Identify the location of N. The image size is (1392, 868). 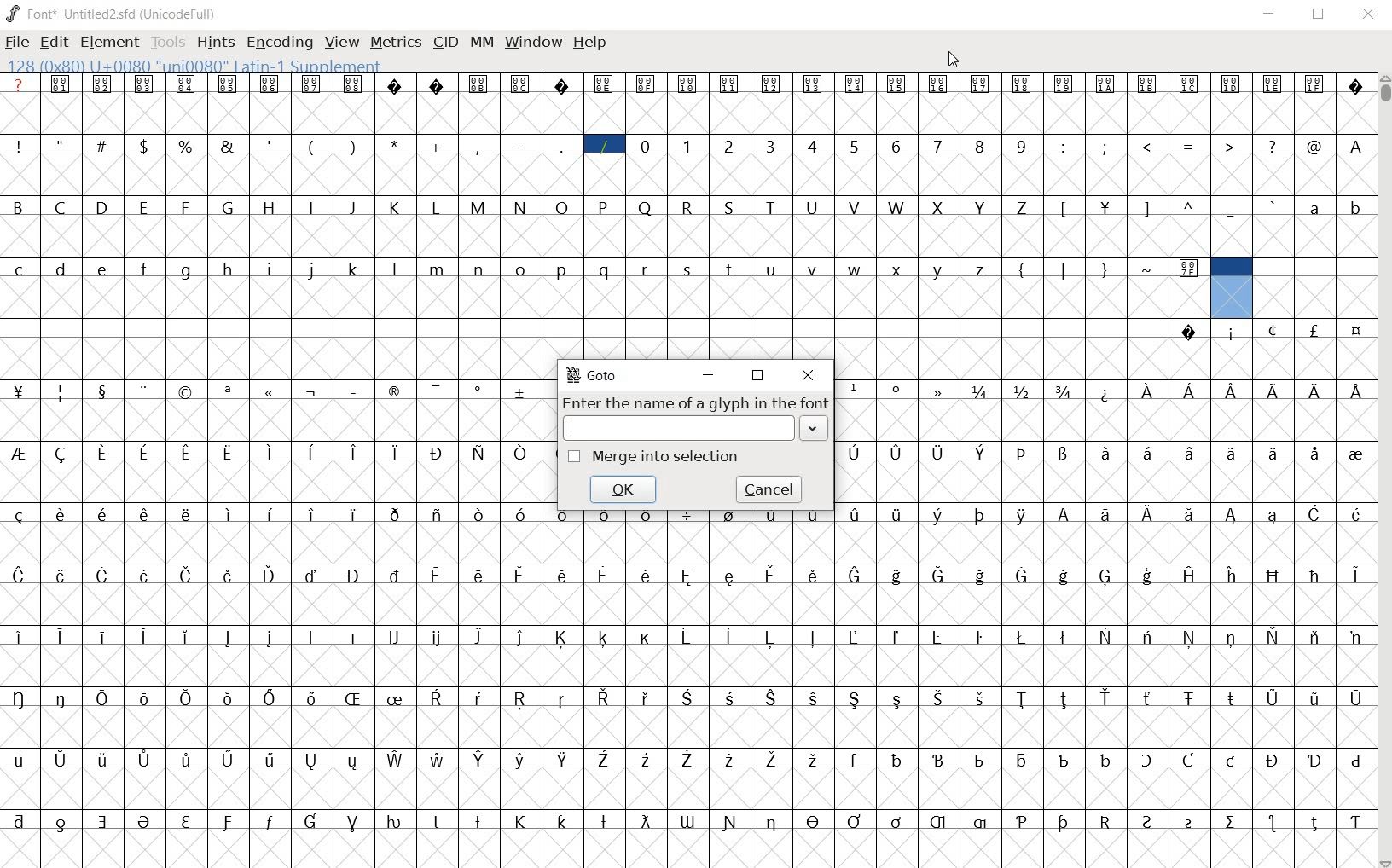
(523, 207).